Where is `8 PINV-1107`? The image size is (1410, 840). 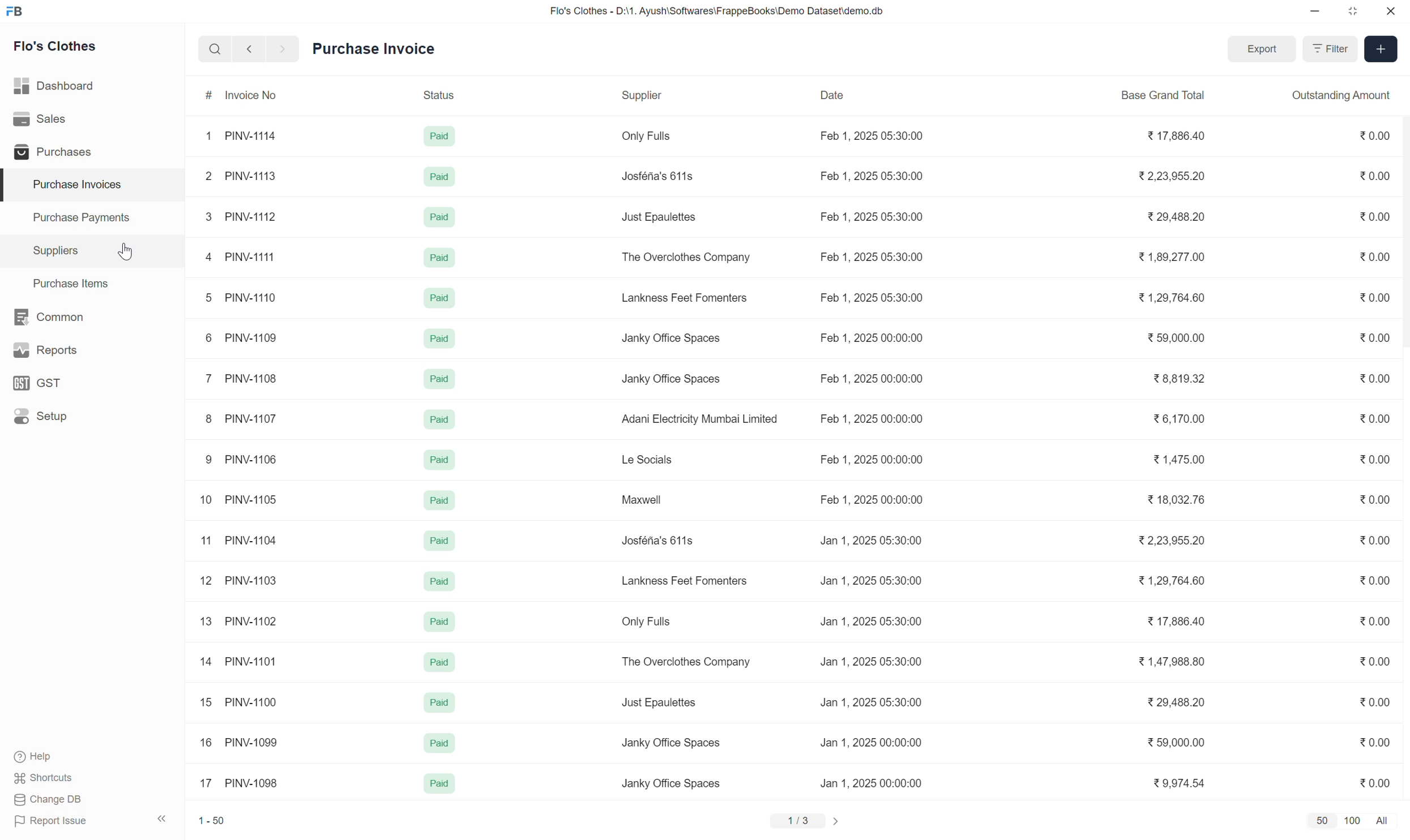
8 PINV-1107 is located at coordinates (241, 419).